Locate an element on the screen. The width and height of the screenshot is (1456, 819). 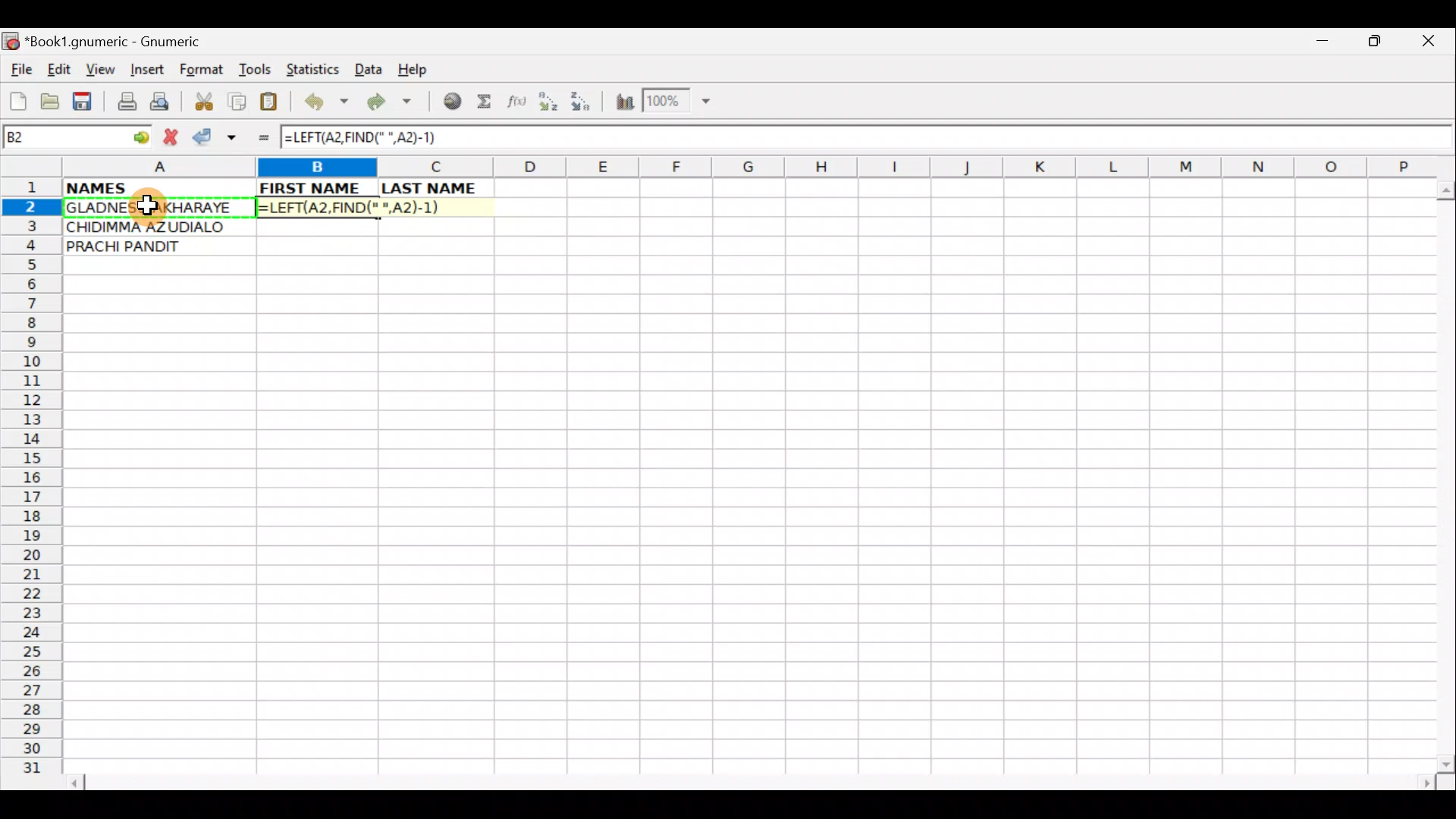
Tools is located at coordinates (256, 70).